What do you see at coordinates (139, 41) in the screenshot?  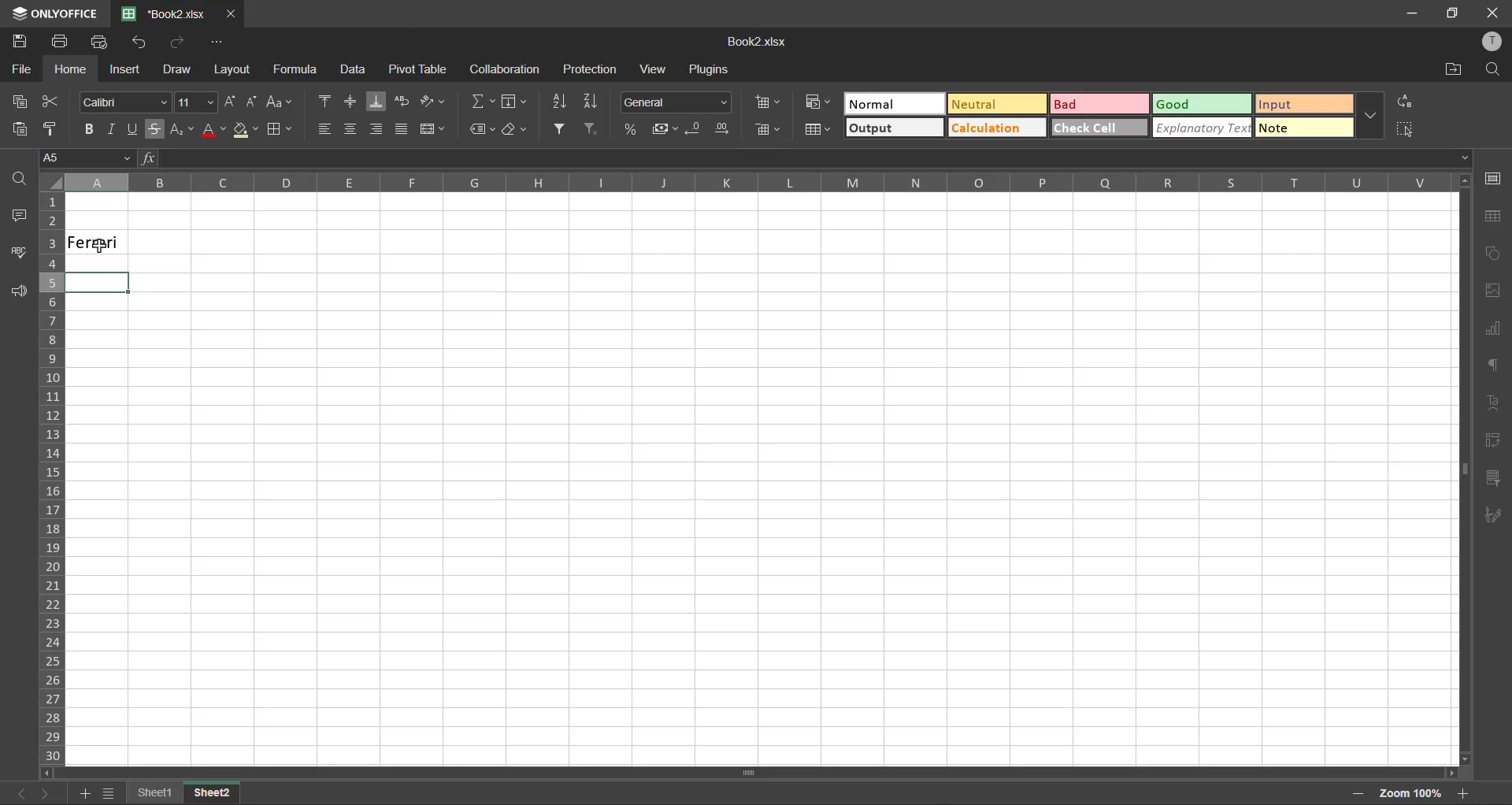 I see `undo` at bounding box center [139, 41].